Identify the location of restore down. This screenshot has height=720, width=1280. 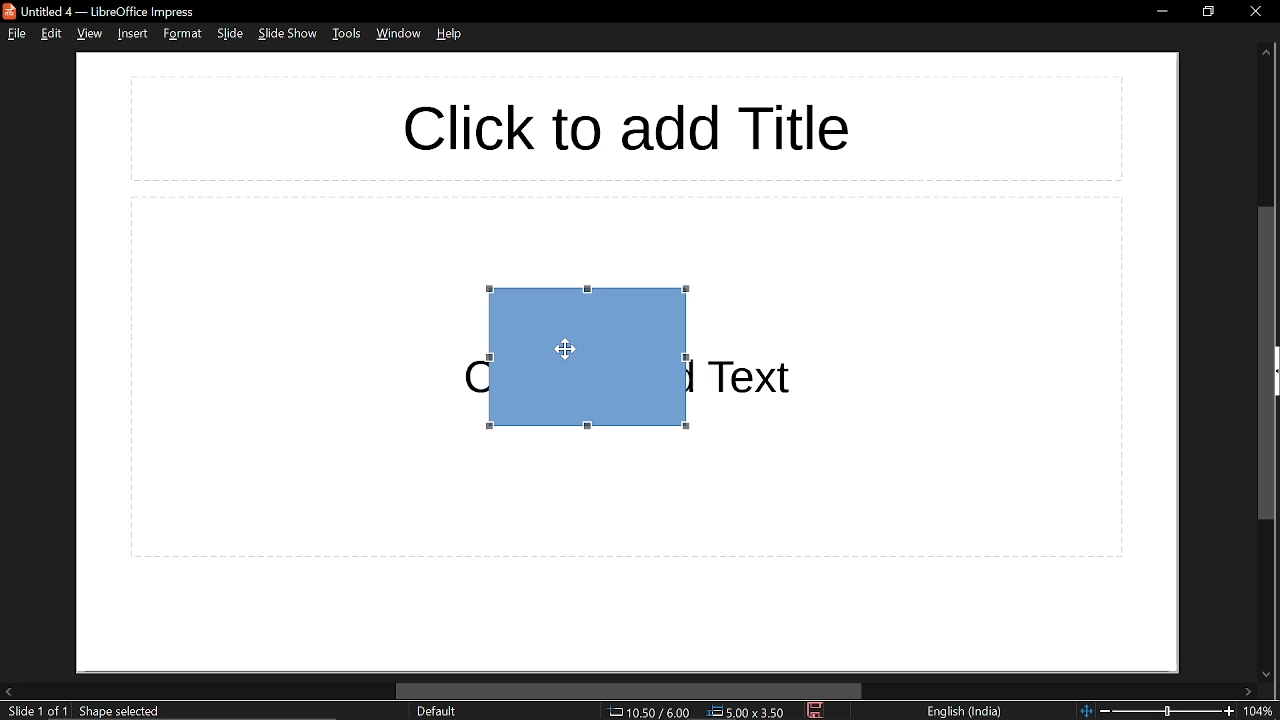
(1208, 11).